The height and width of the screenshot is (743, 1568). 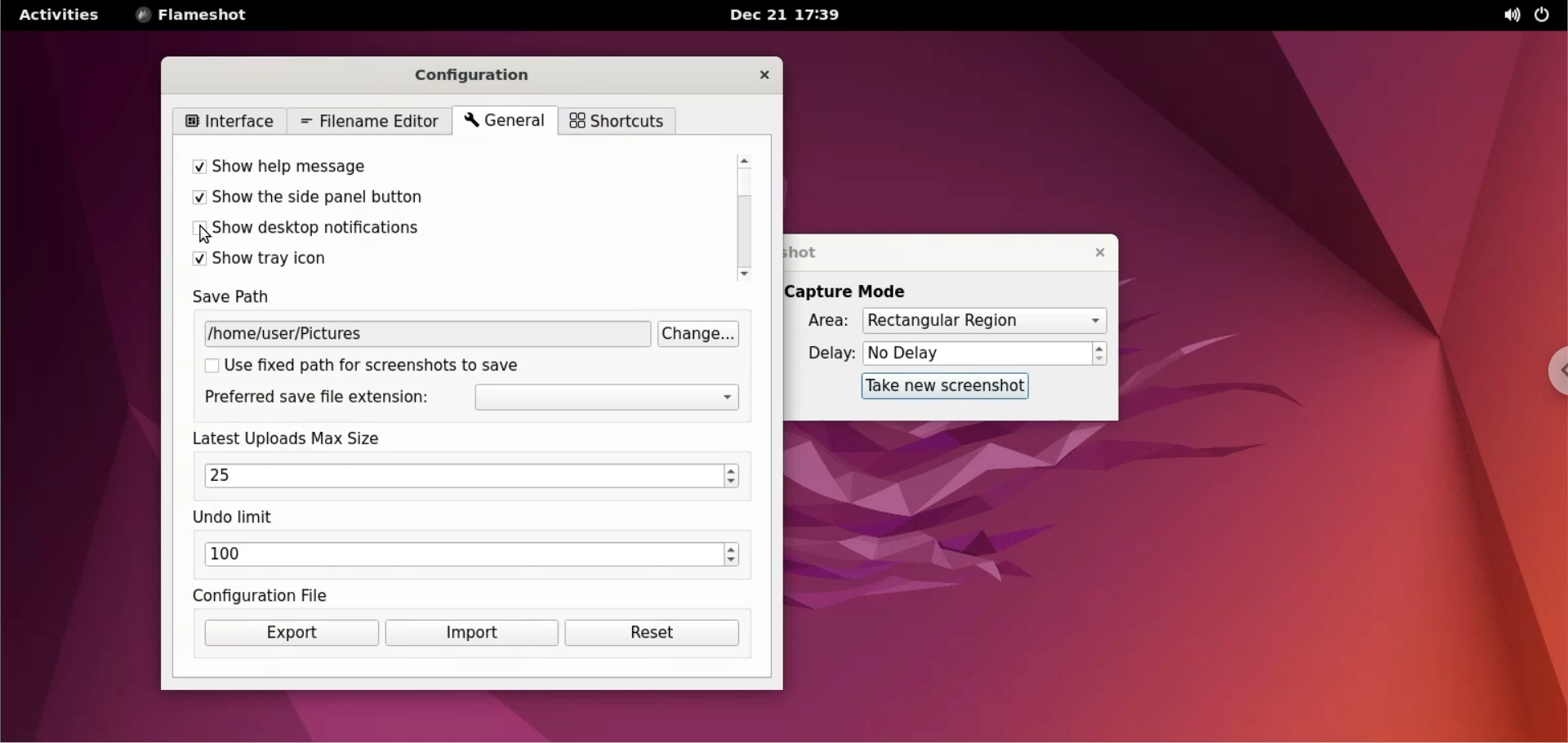 I want to click on Dec  21 17:39, so click(x=788, y=16).